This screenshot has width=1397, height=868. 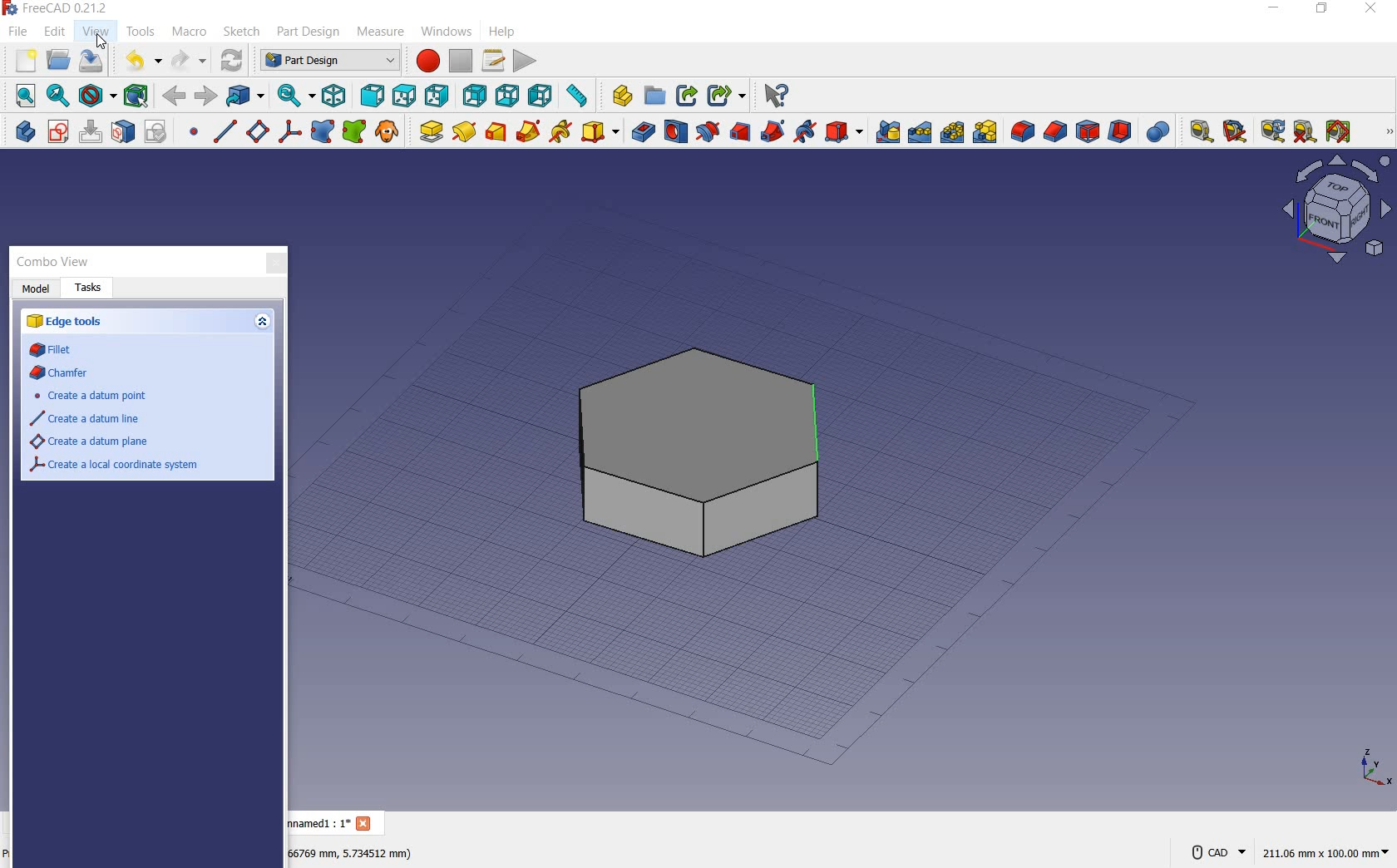 I want to click on create an additive primitive, so click(x=600, y=131).